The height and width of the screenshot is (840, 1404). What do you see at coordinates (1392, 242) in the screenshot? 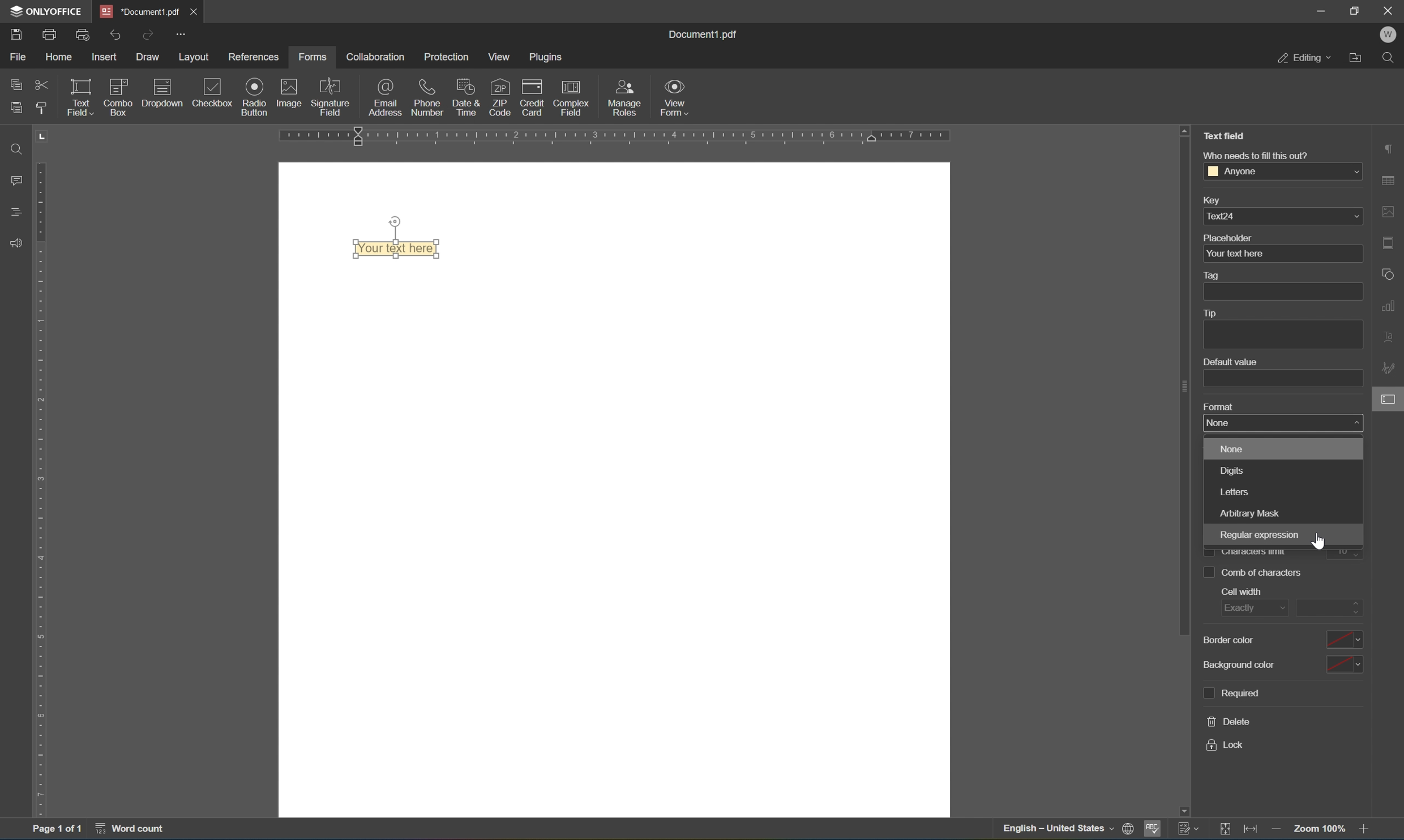
I see `header and footer settings` at bounding box center [1392, 242].